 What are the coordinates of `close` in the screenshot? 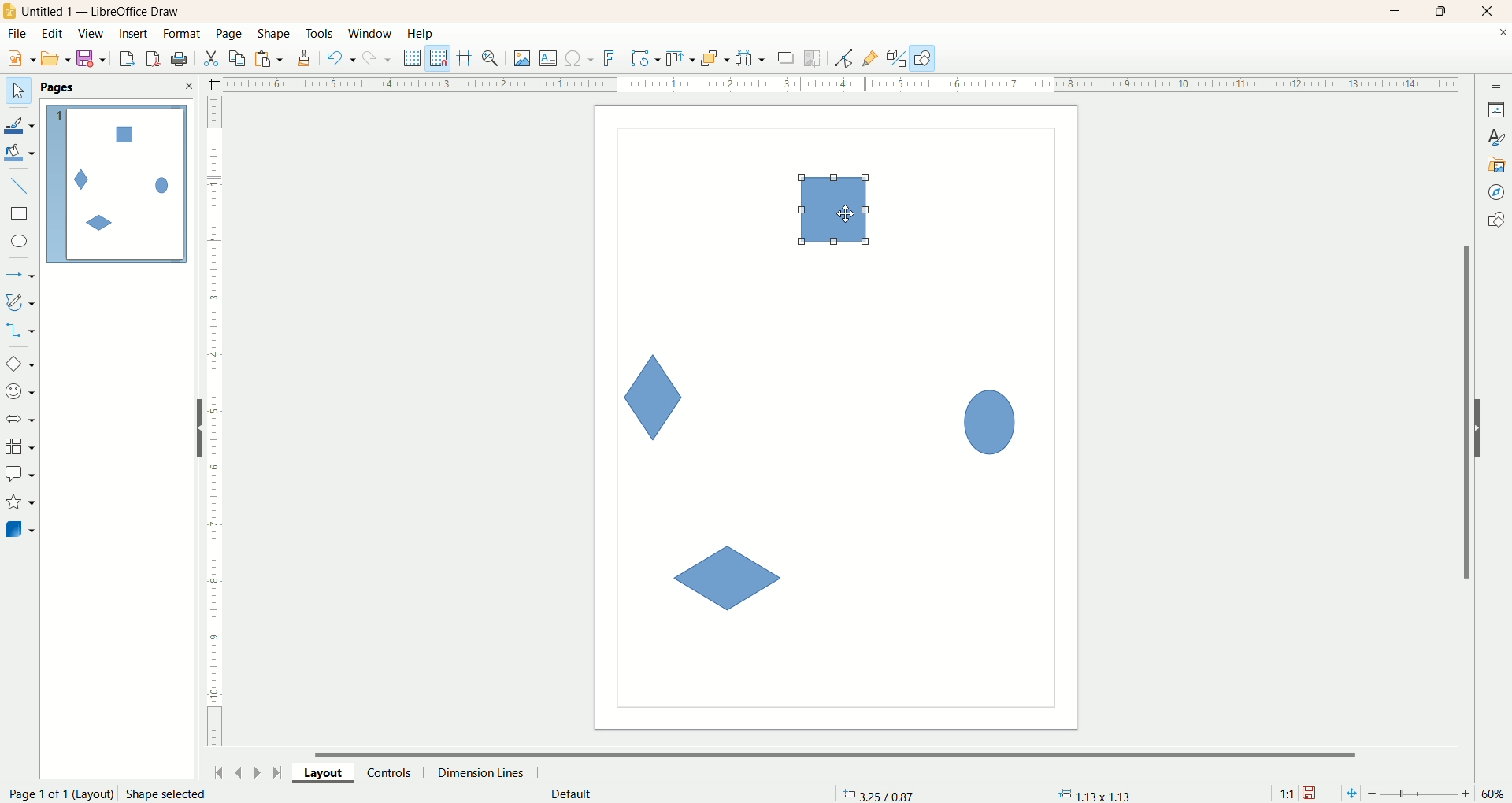 It's located at (1503, 35).